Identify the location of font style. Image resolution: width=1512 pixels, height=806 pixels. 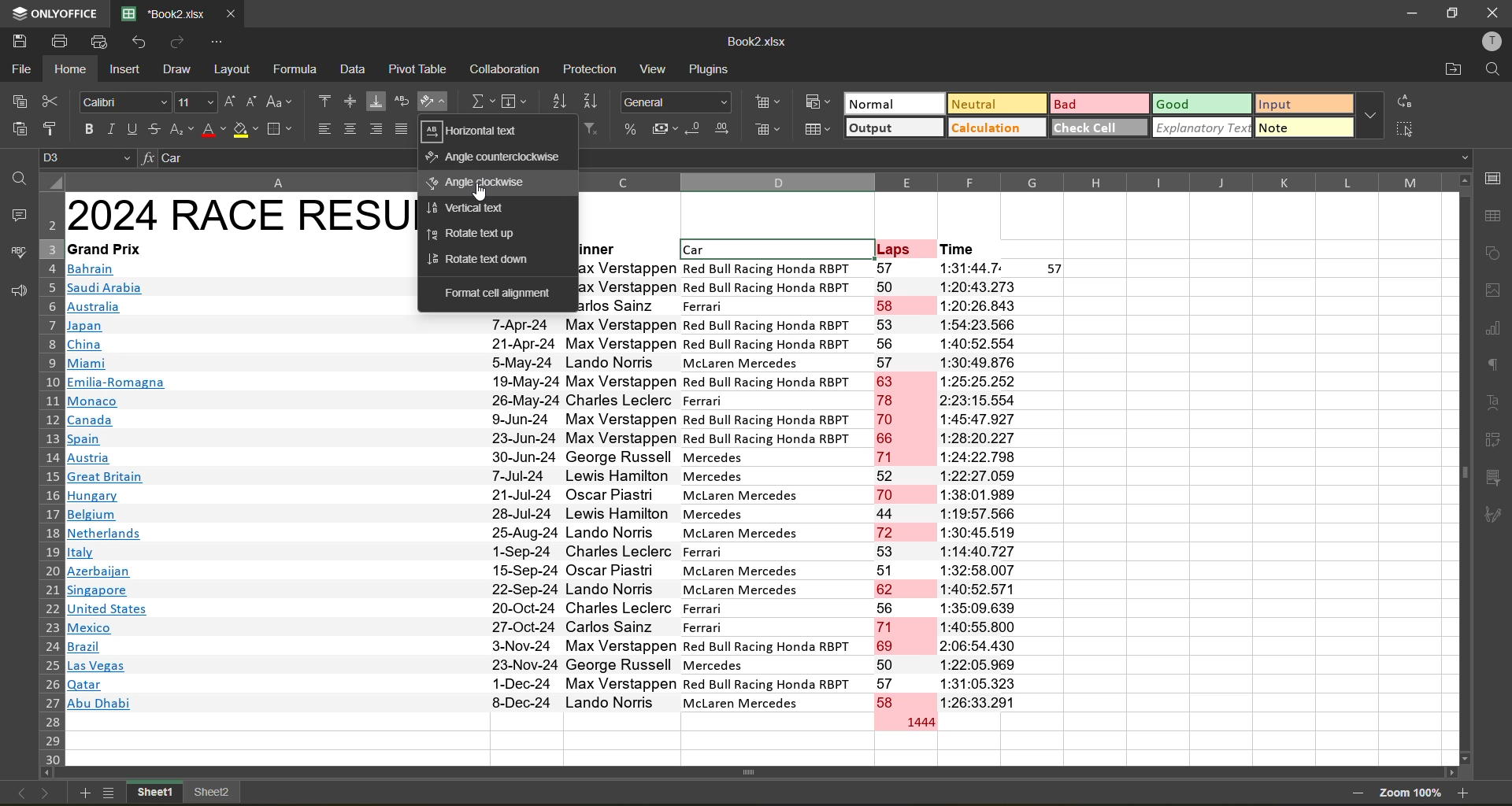
(126, 102).